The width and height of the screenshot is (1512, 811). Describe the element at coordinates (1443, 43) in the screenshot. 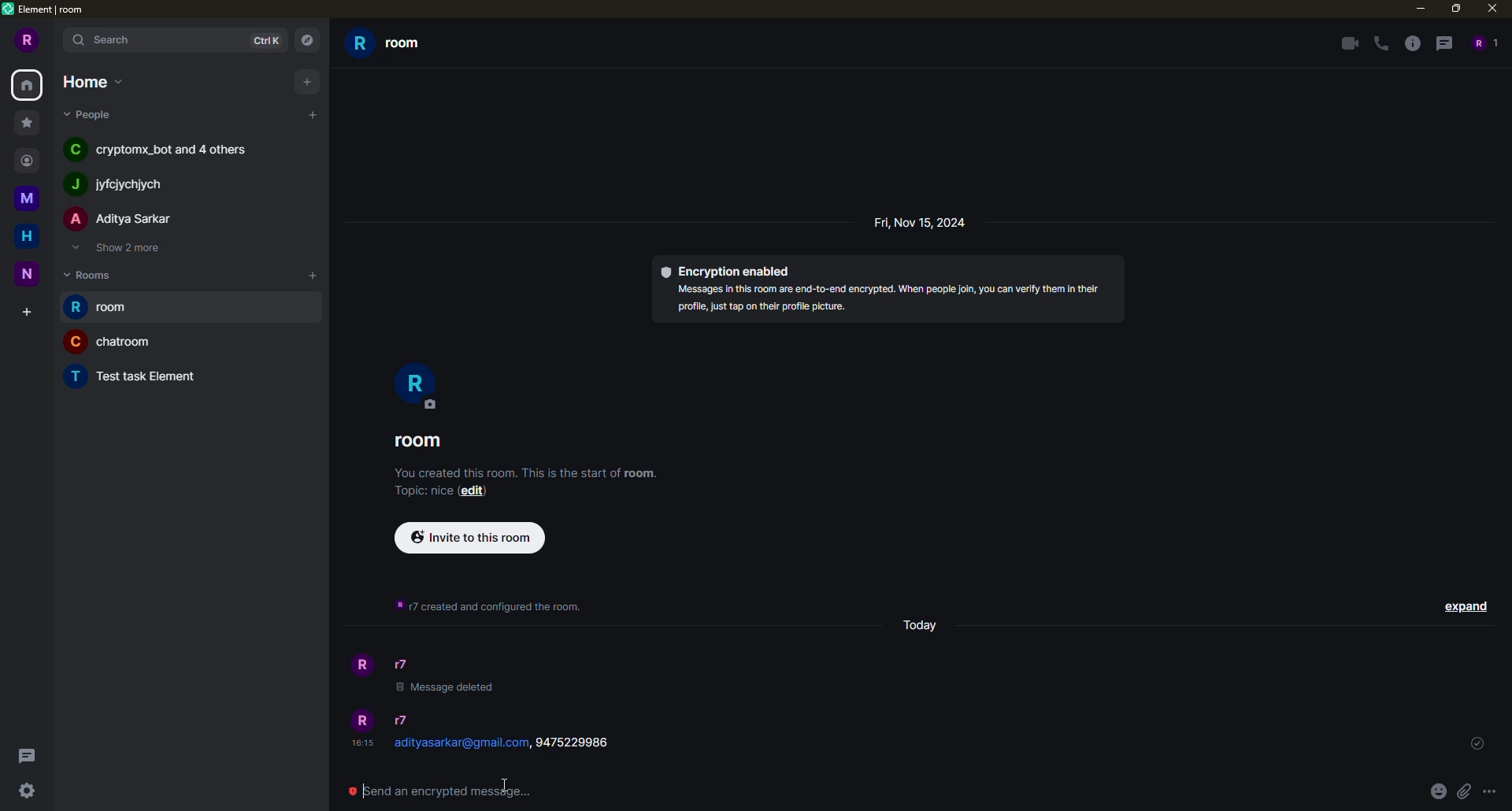

I see `threads` at that location.